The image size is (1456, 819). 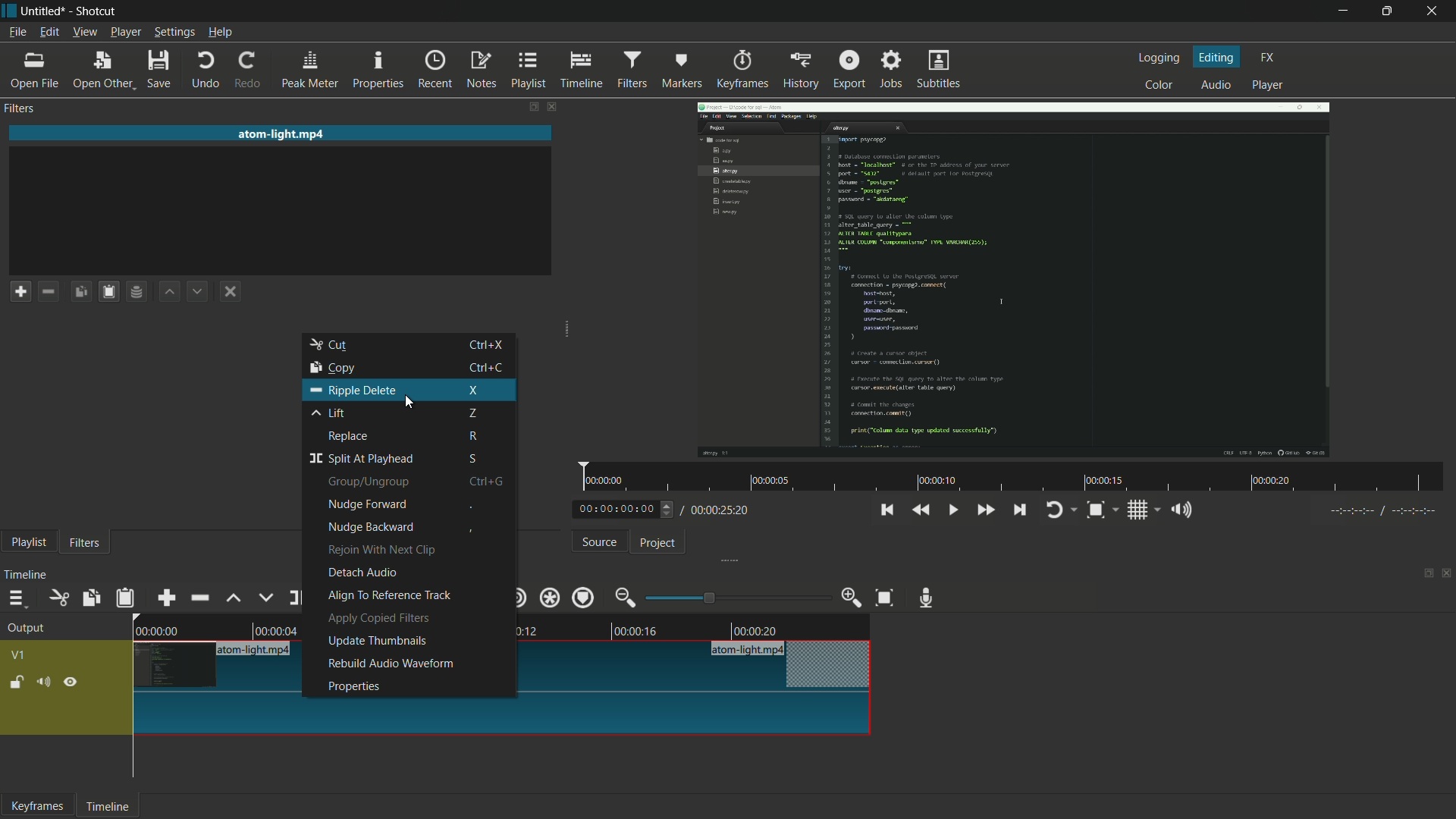 I want to click on rebuild audio waveform, so click(x=389, y=663).